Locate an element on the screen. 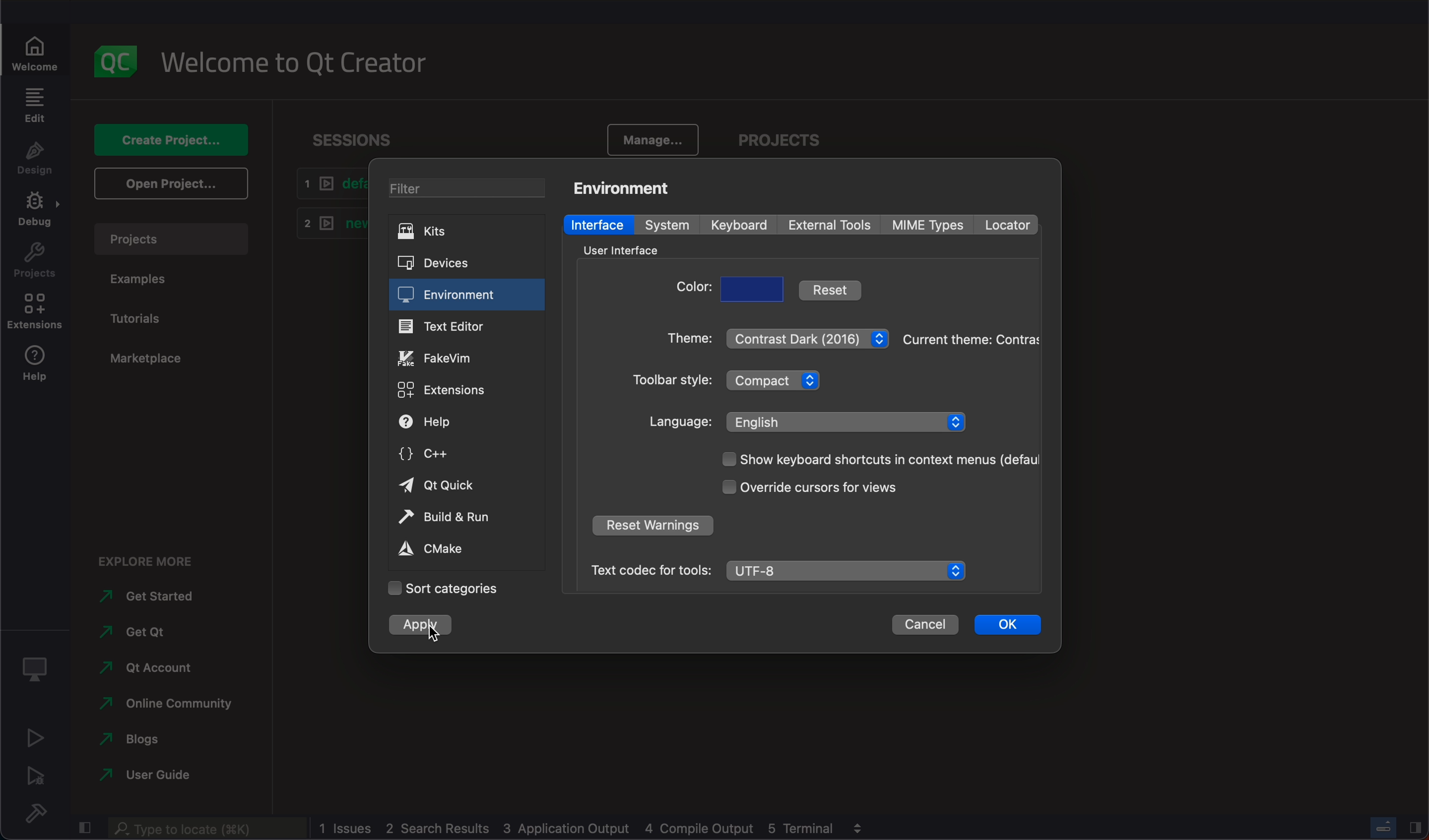 This screenshot has height=840, width=1429. build is located at coordinates (465, 518).